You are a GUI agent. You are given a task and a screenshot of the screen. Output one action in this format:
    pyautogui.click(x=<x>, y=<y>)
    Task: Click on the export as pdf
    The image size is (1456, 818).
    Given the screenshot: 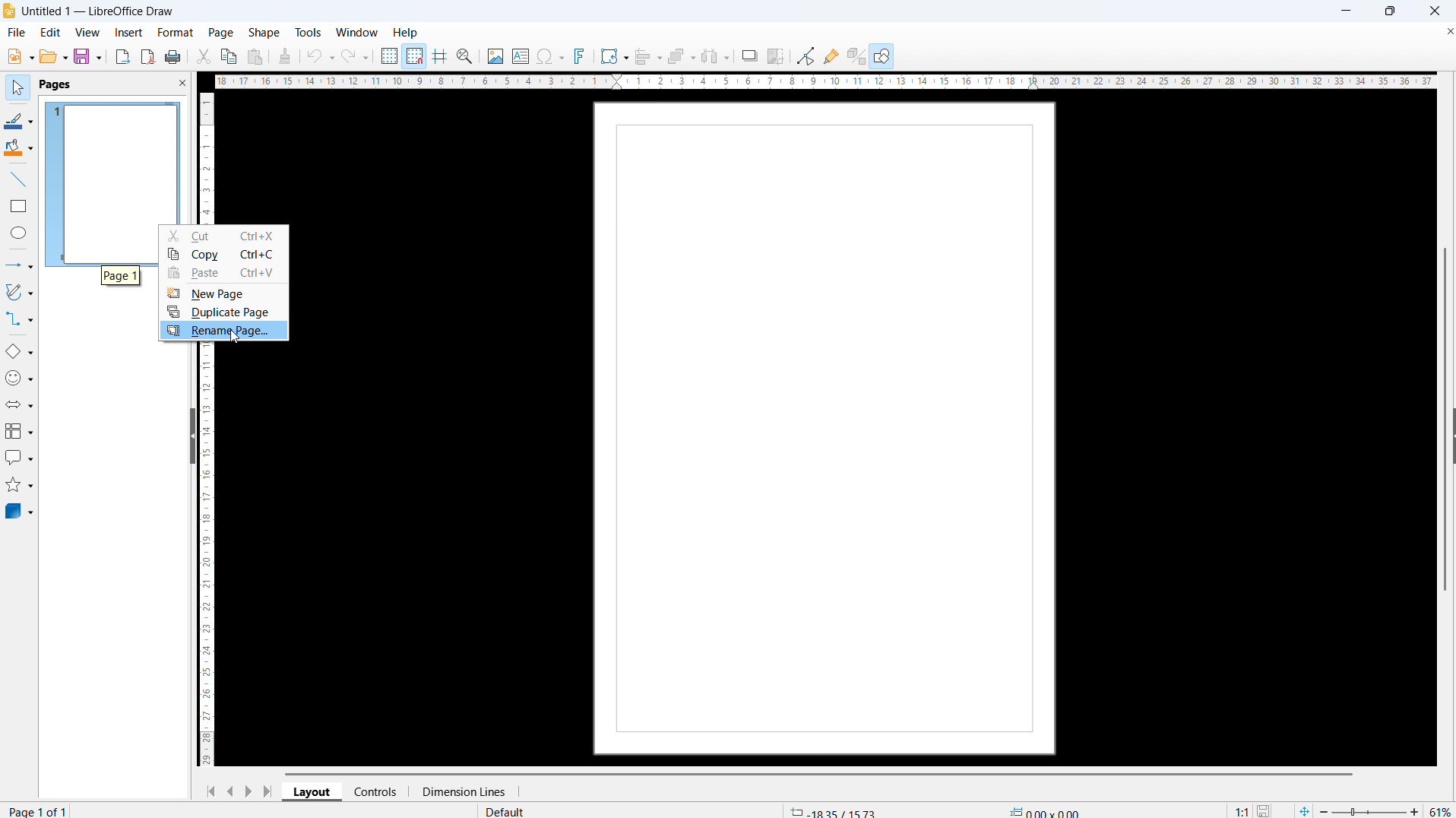 What is the action you would take?
    pyautogui.click(x=148, y=56)
    